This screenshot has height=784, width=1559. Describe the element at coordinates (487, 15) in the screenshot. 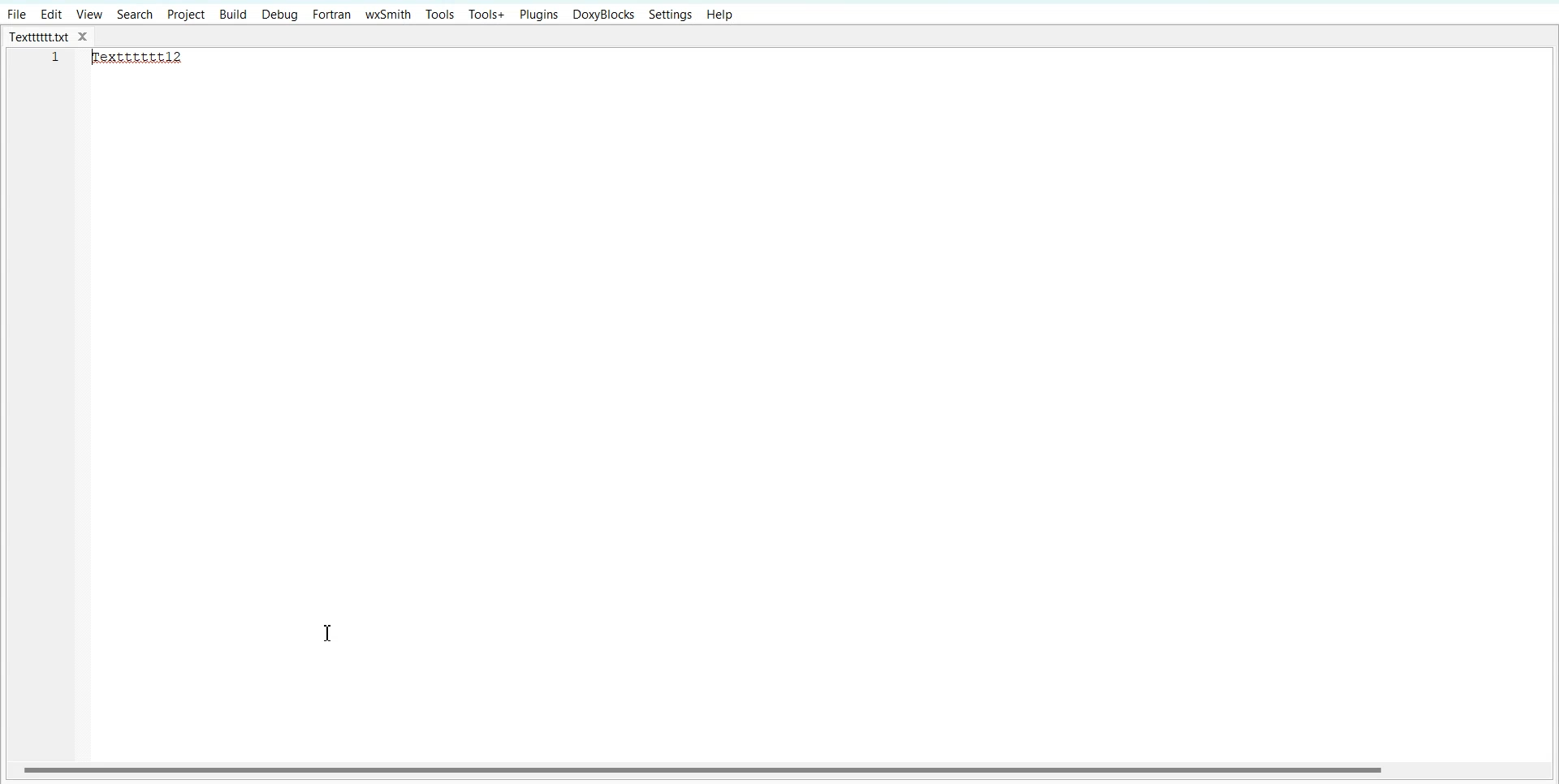

I see `Tools+` at that location.